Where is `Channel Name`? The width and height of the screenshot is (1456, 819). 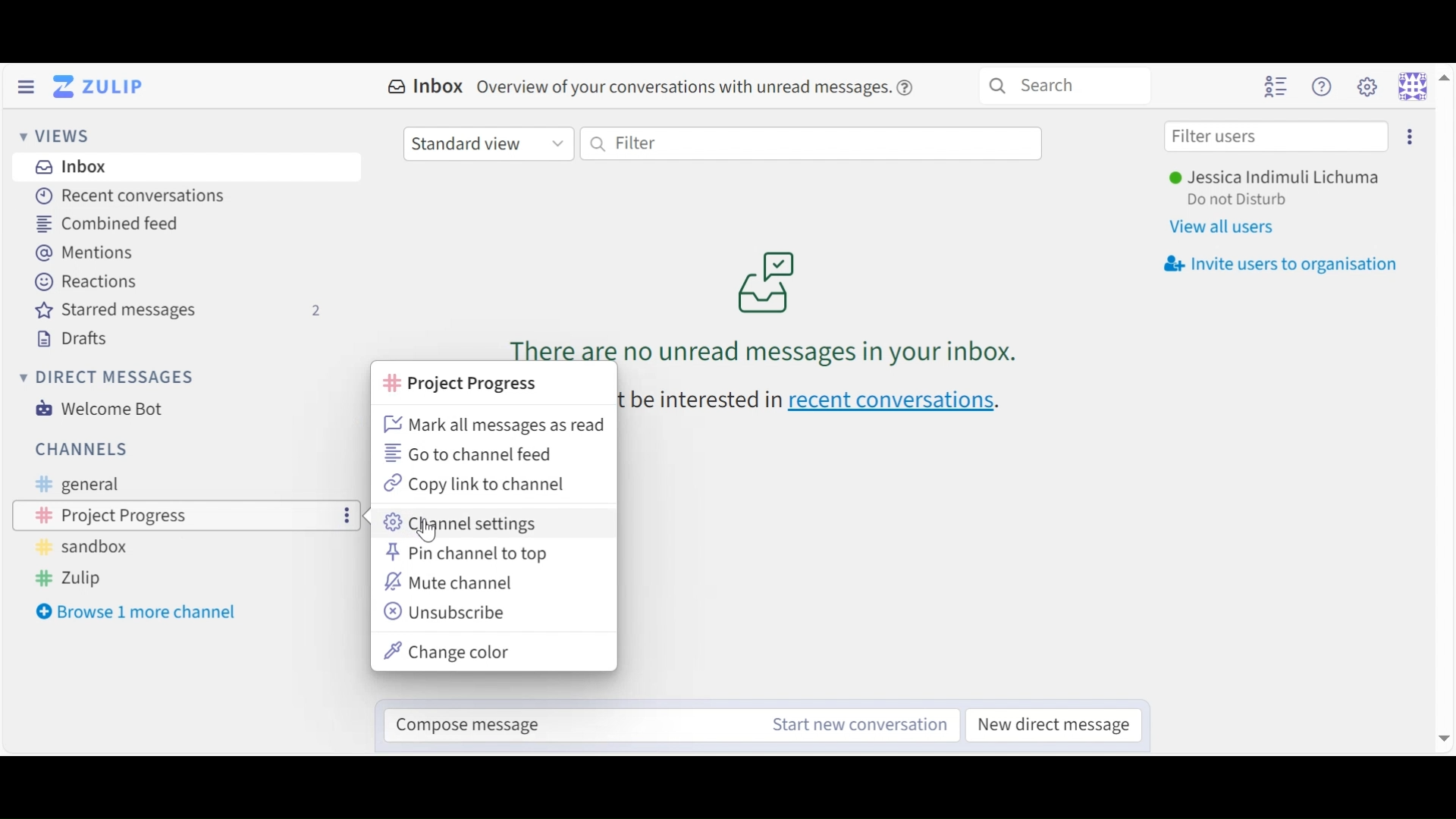
Channel Name is located at coordinates (458, 383).